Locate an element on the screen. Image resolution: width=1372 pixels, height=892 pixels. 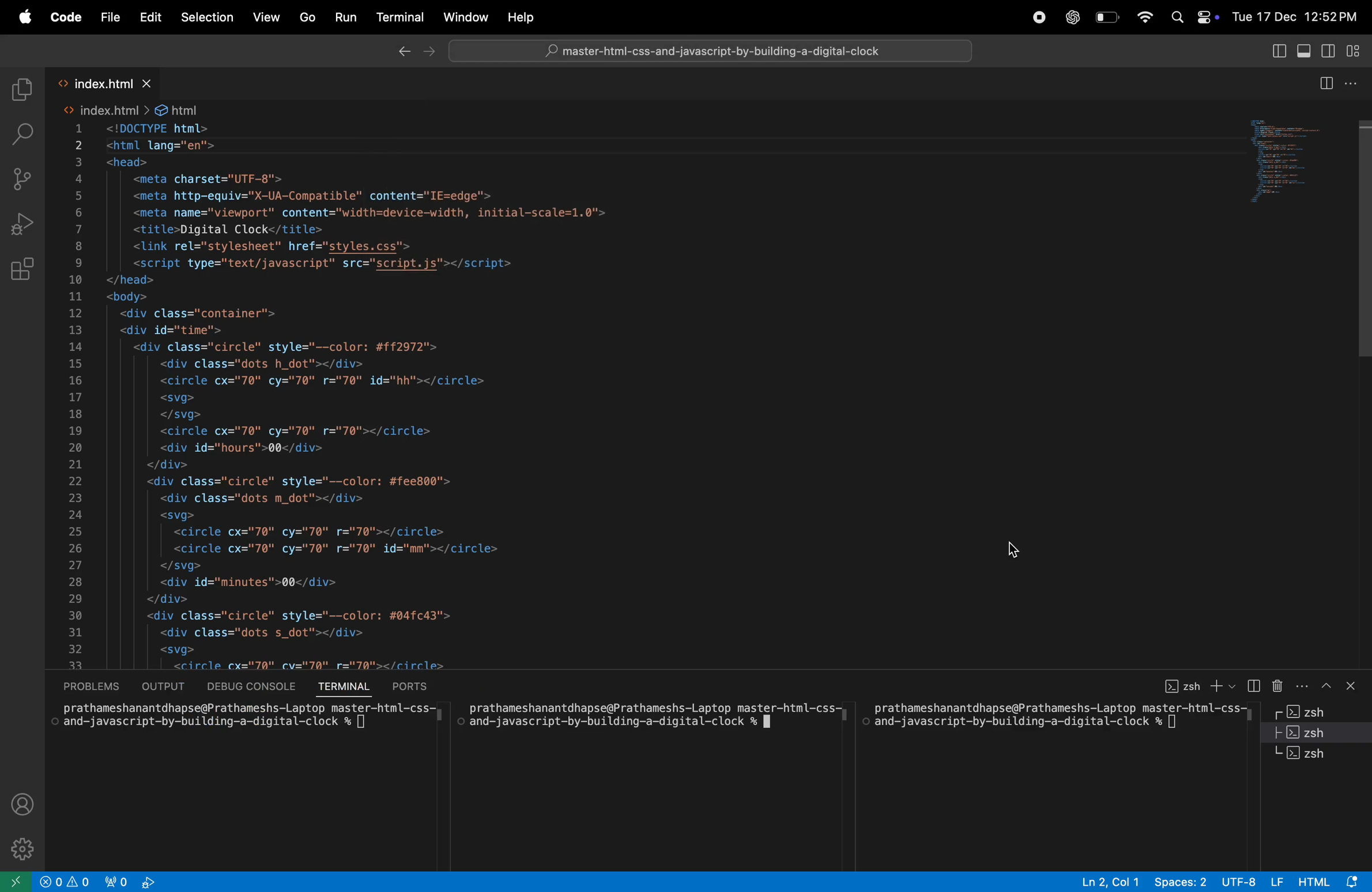
Ln2, col 1 is located at coordinates (1110, 881).